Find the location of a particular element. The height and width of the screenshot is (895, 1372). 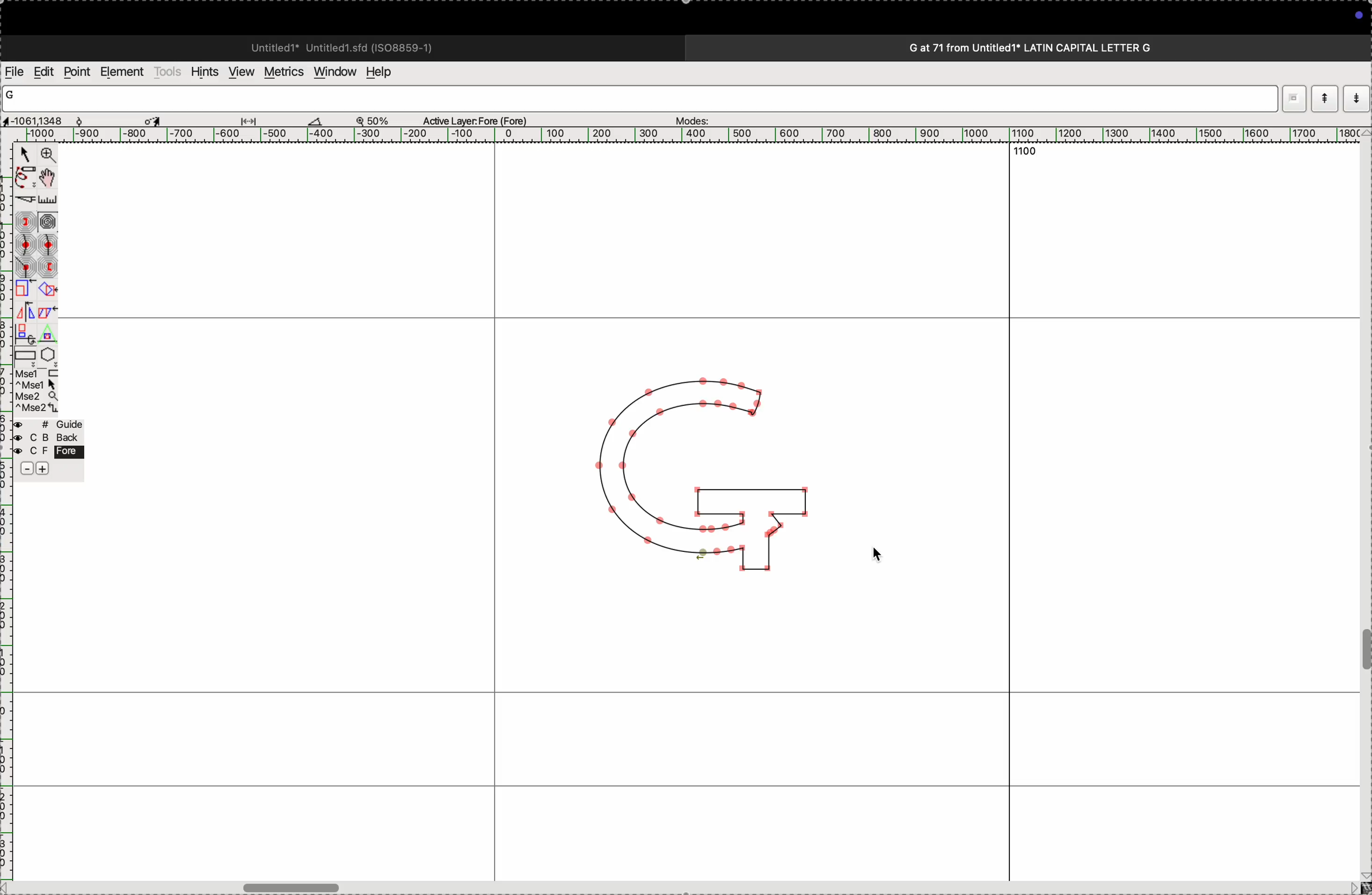

help is located at coordinates (385, 72).